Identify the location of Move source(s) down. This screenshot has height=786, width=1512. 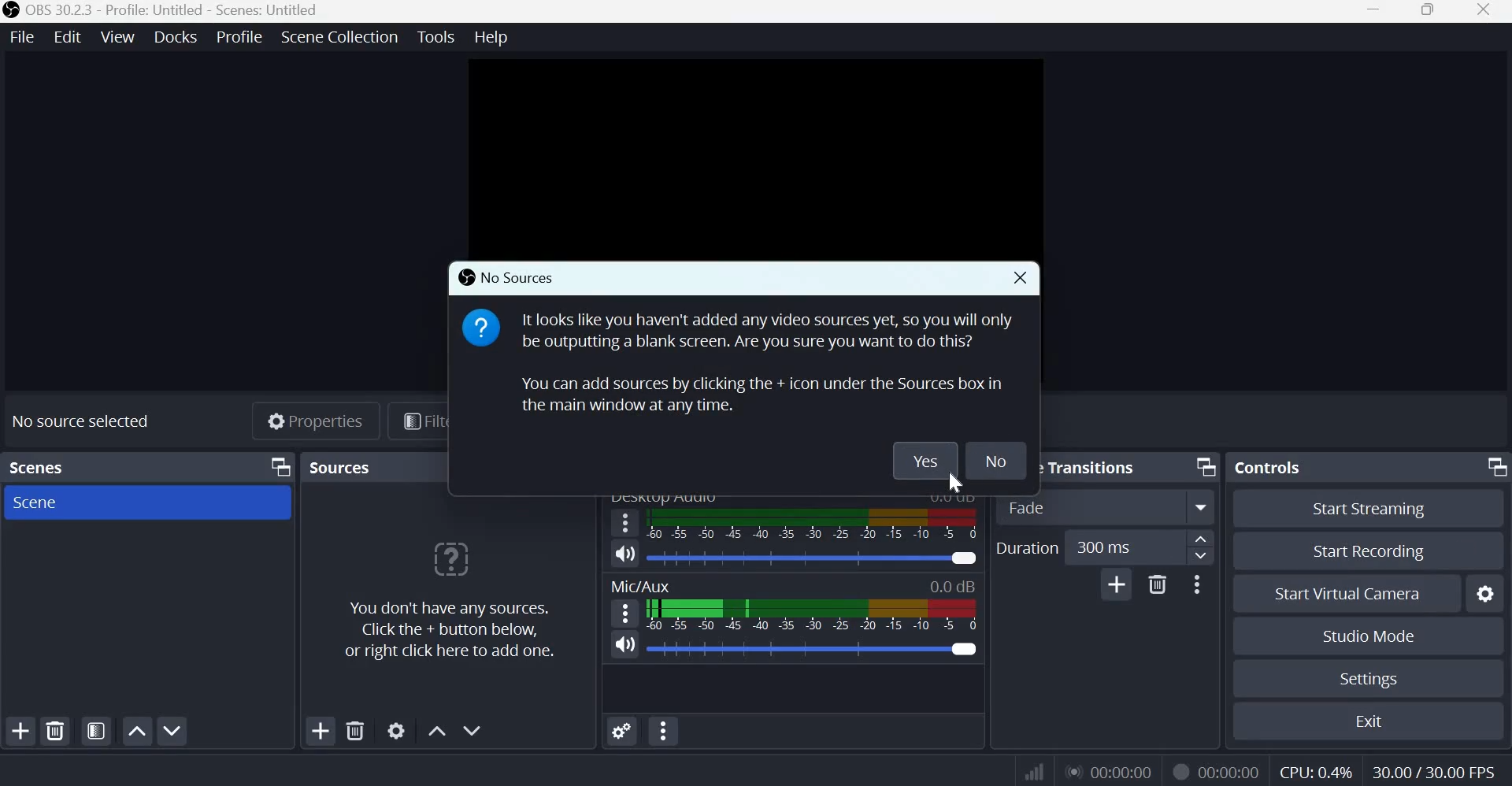
(477, 730).